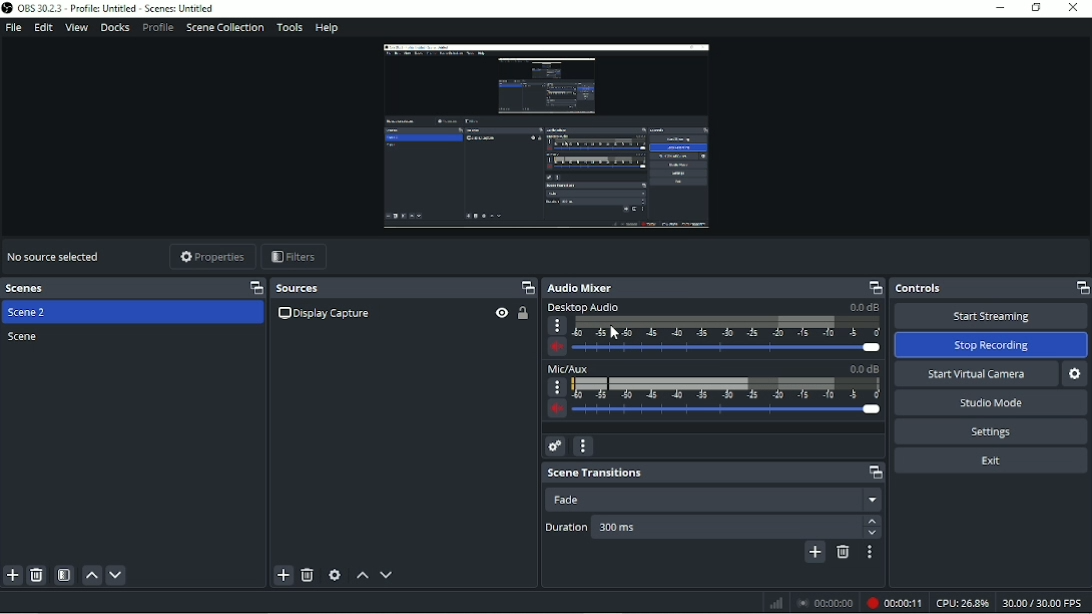  Describe the element at coordinates (225, 28) in the screenshot. I see `Scene collection` at that location.